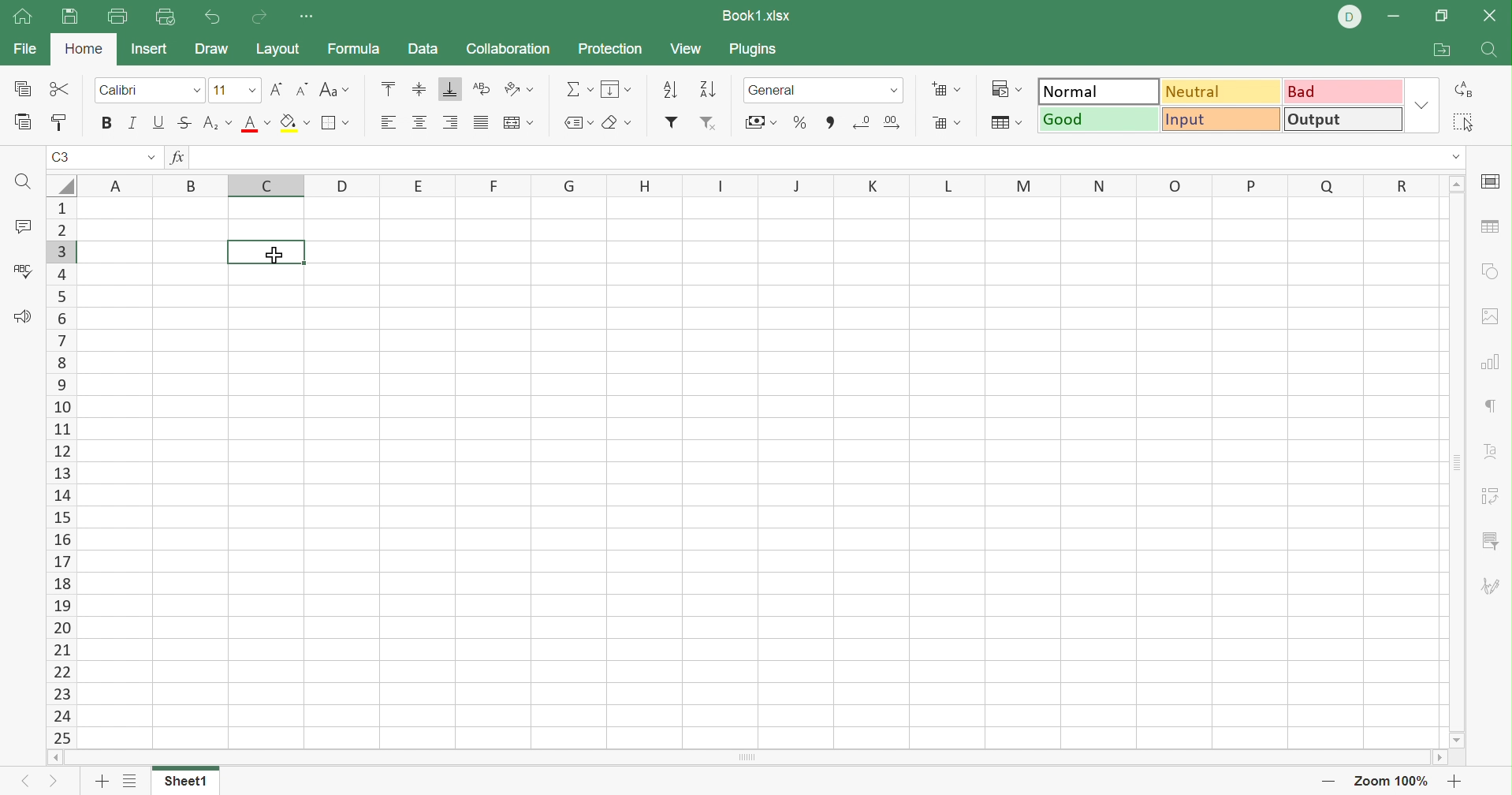 The height and width of the screenshot is (795, 1512). I want to click on Fill, so click(616, 90).